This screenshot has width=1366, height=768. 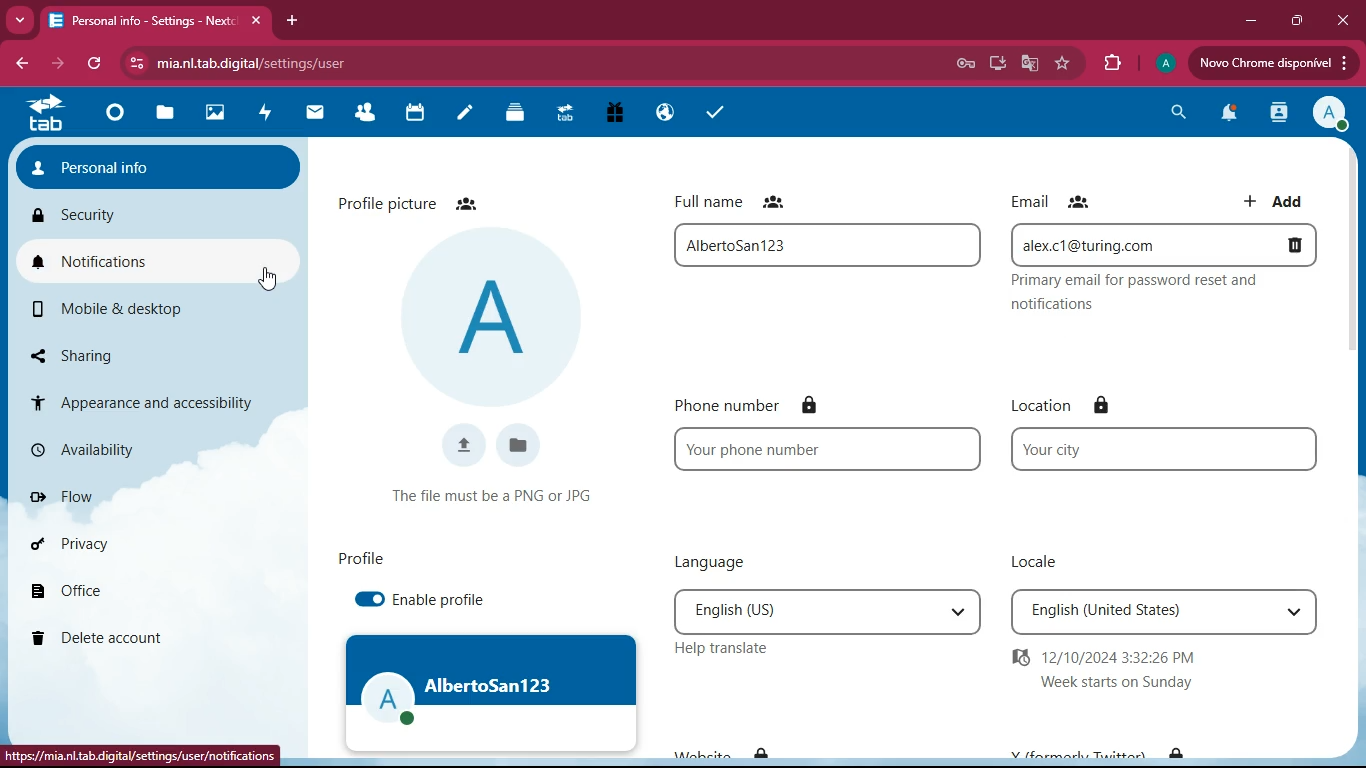 I want to click on layers, so click(x=510, y=115).